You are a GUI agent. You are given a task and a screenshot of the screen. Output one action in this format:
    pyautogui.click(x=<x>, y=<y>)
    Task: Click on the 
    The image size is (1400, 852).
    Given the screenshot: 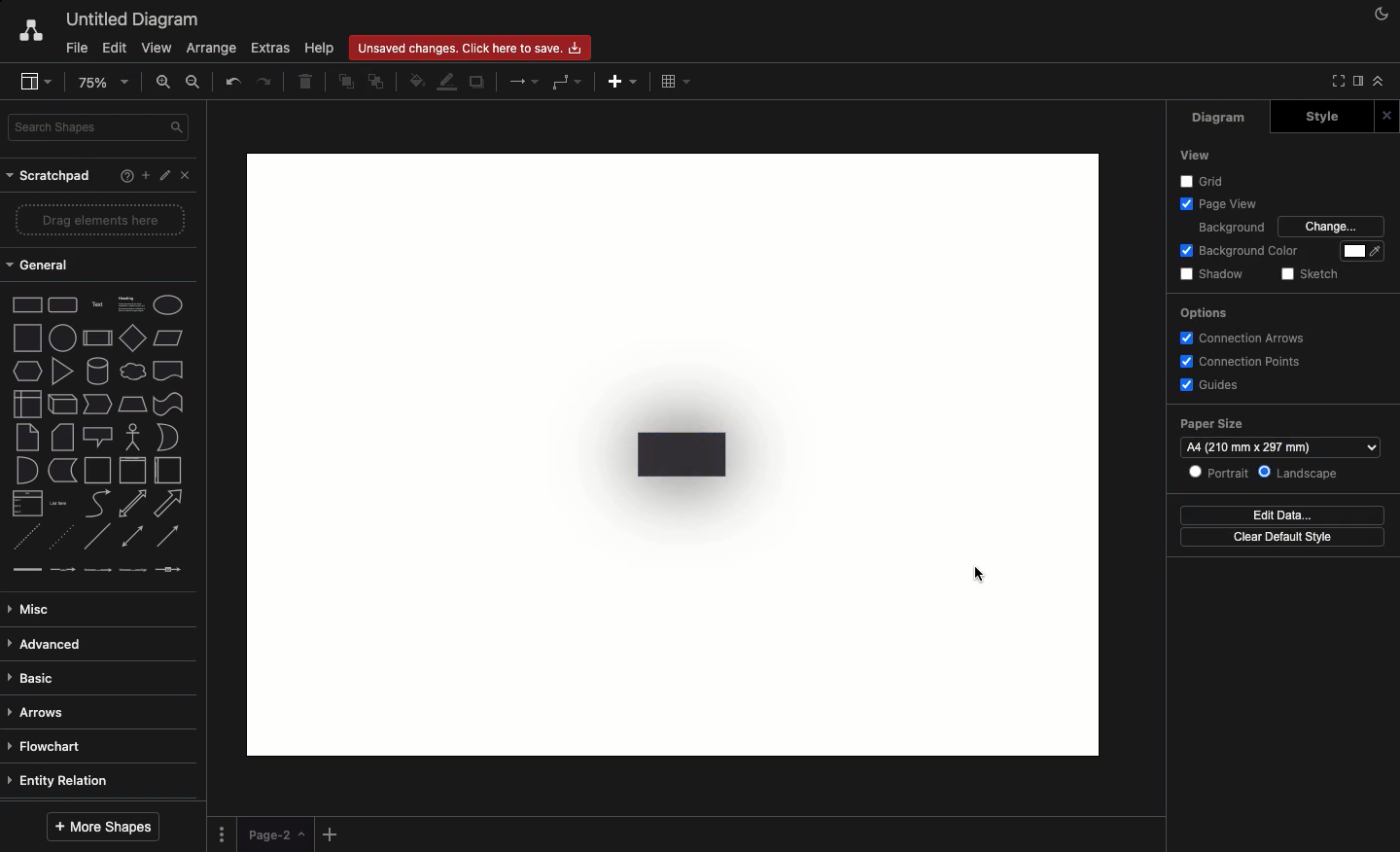 What is the action you would take?
    pyautogui.click(x=1205, y=181)
    